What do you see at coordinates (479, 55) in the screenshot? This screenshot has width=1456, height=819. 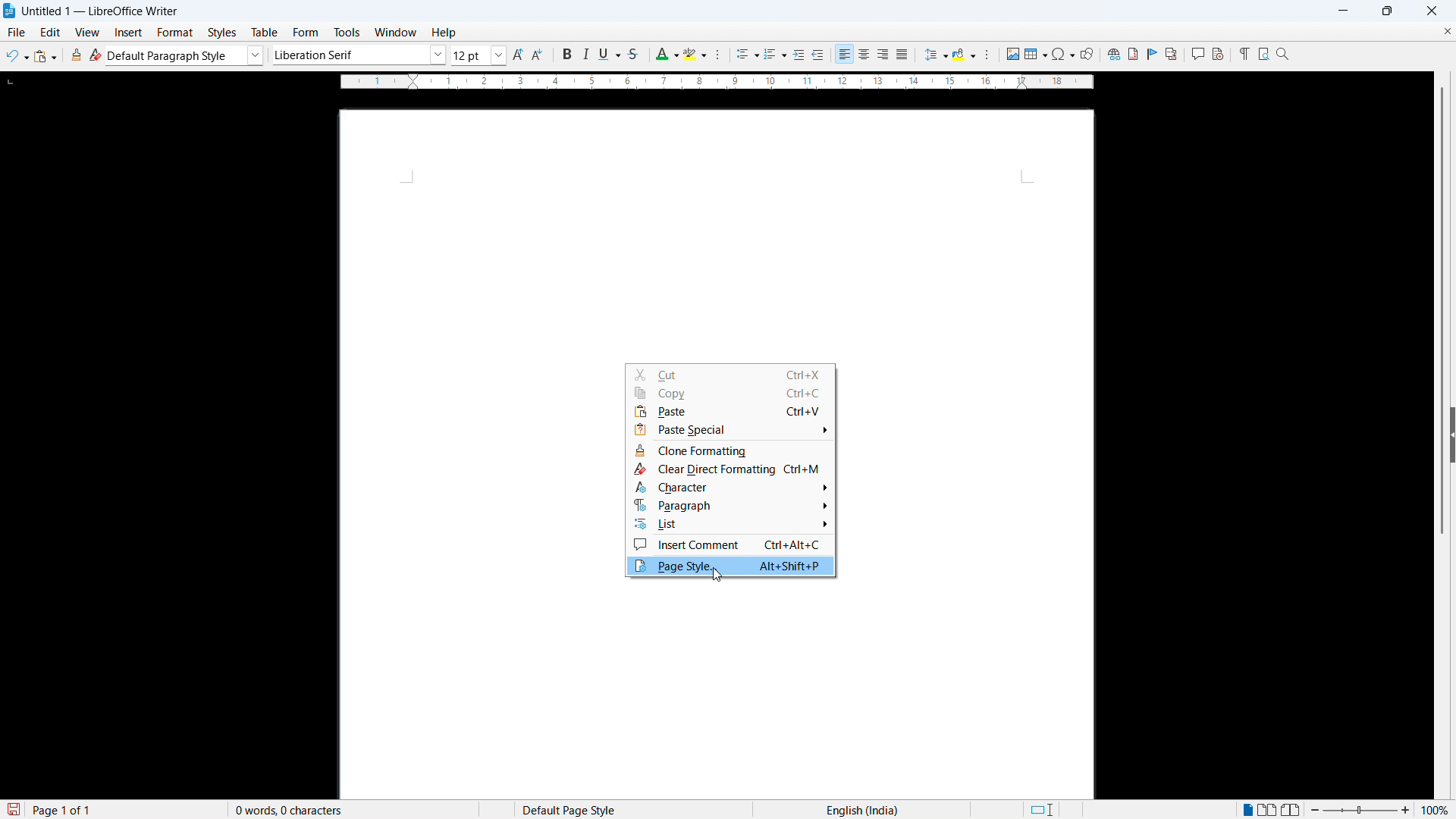 I see `Set font size ` at bounding box center [479, 55].